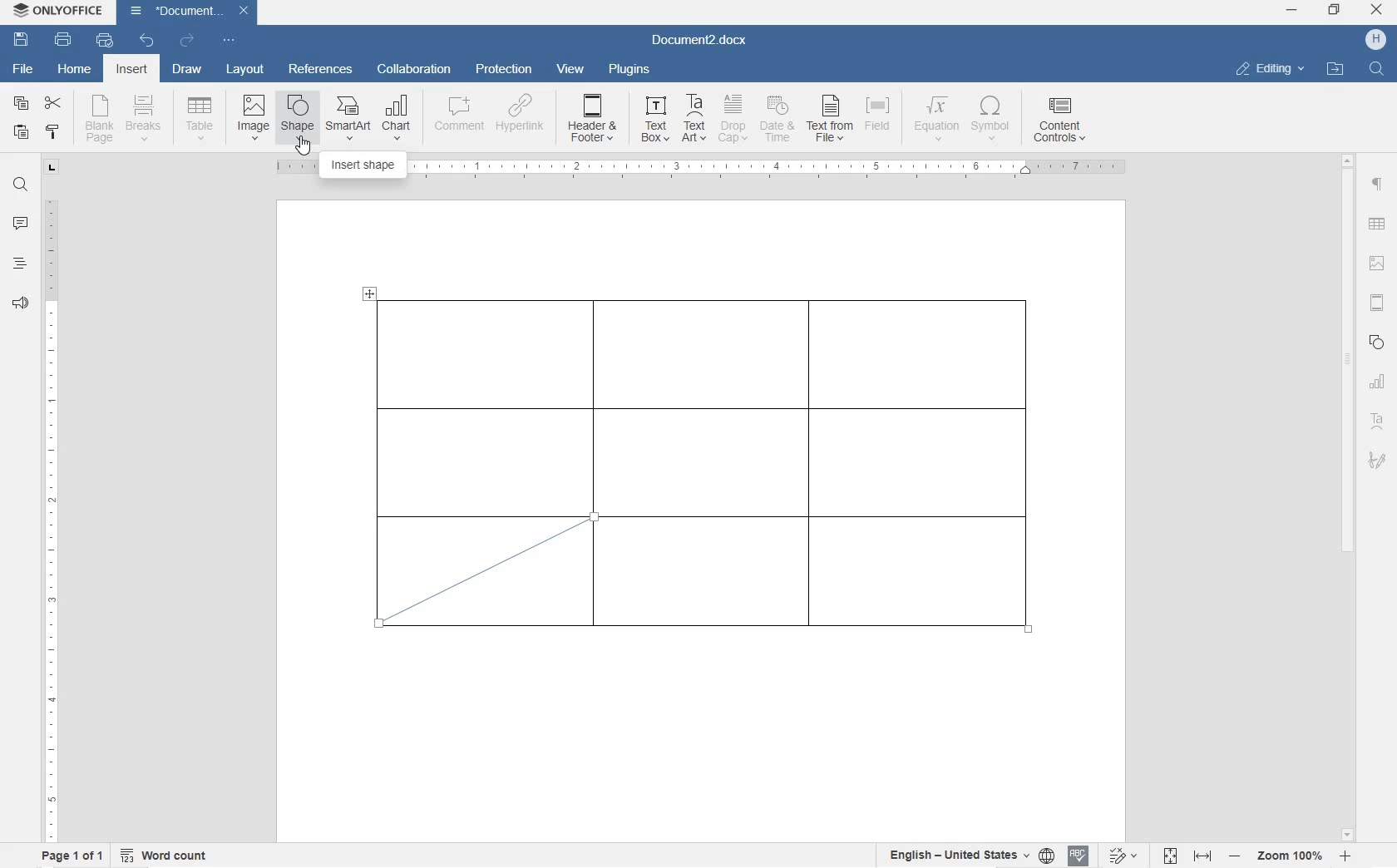 This screenshot has height=868, width=1397. Describe the element at coordinates (414, 70) in the screenshot. I see `collaboration` at that location.